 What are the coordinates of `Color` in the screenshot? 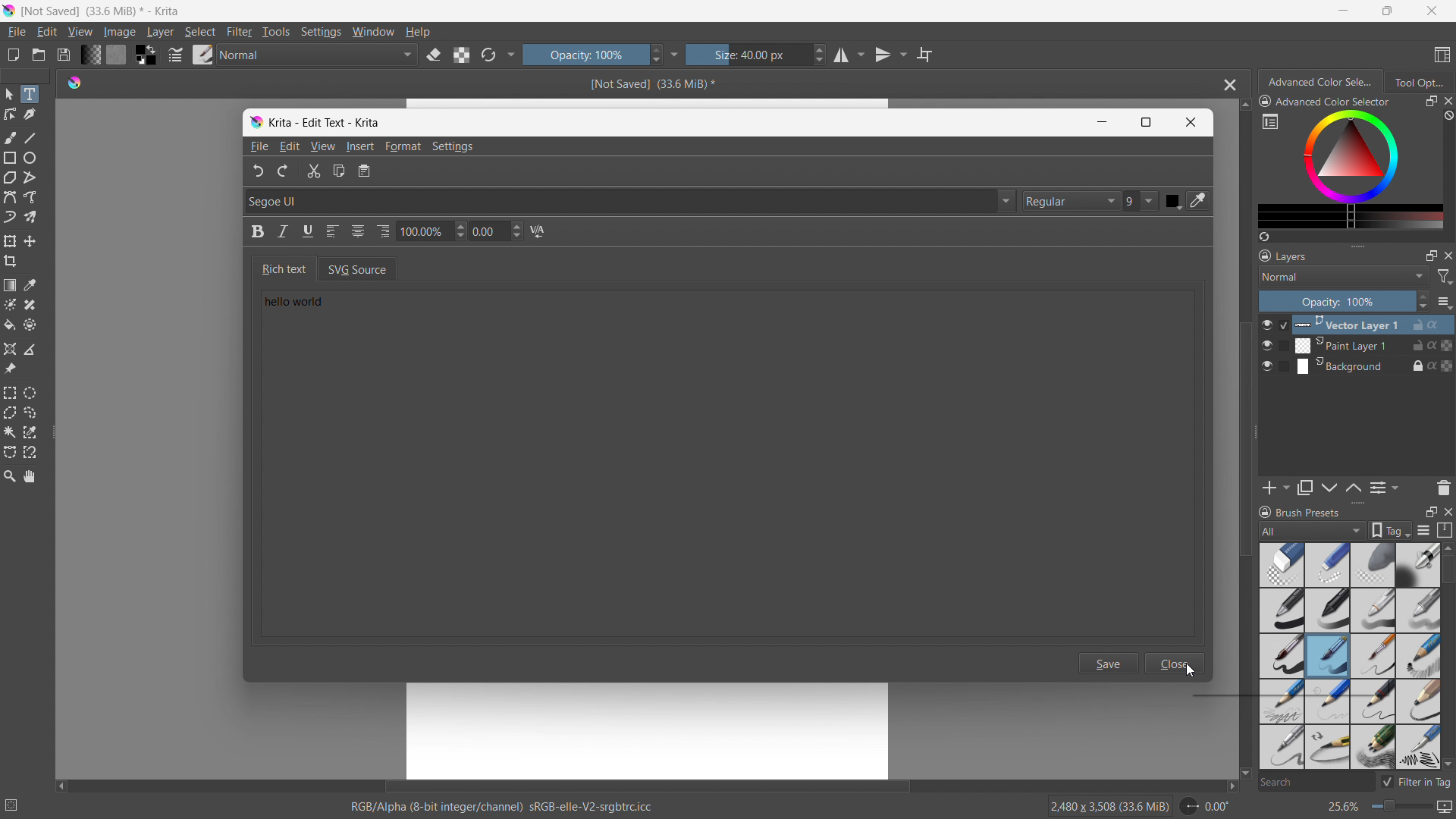 It's located at (1173, 201).